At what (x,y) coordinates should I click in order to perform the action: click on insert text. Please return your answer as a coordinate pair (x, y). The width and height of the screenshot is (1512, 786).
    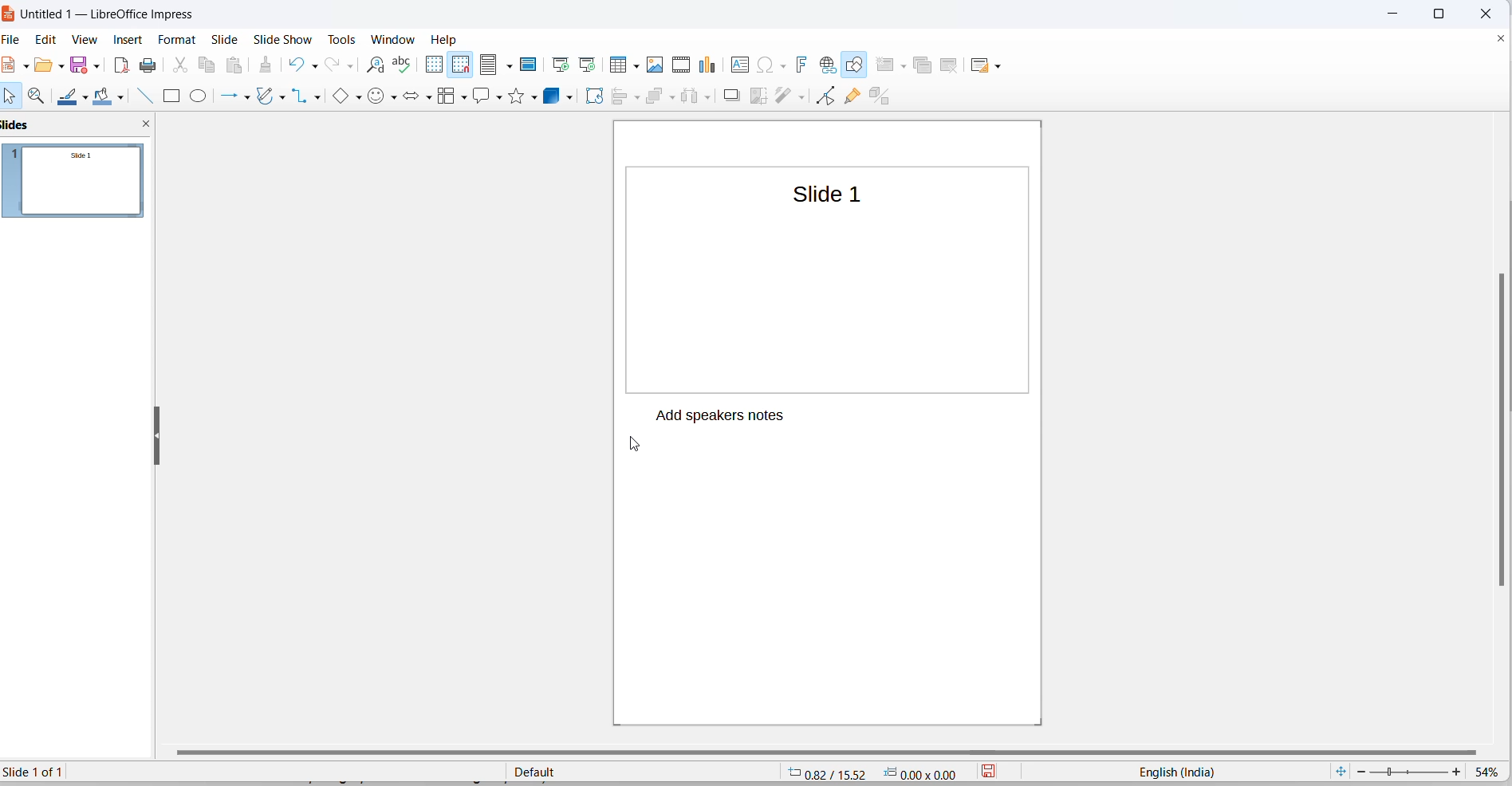
    Looking at the image, I should click on (741, 65).